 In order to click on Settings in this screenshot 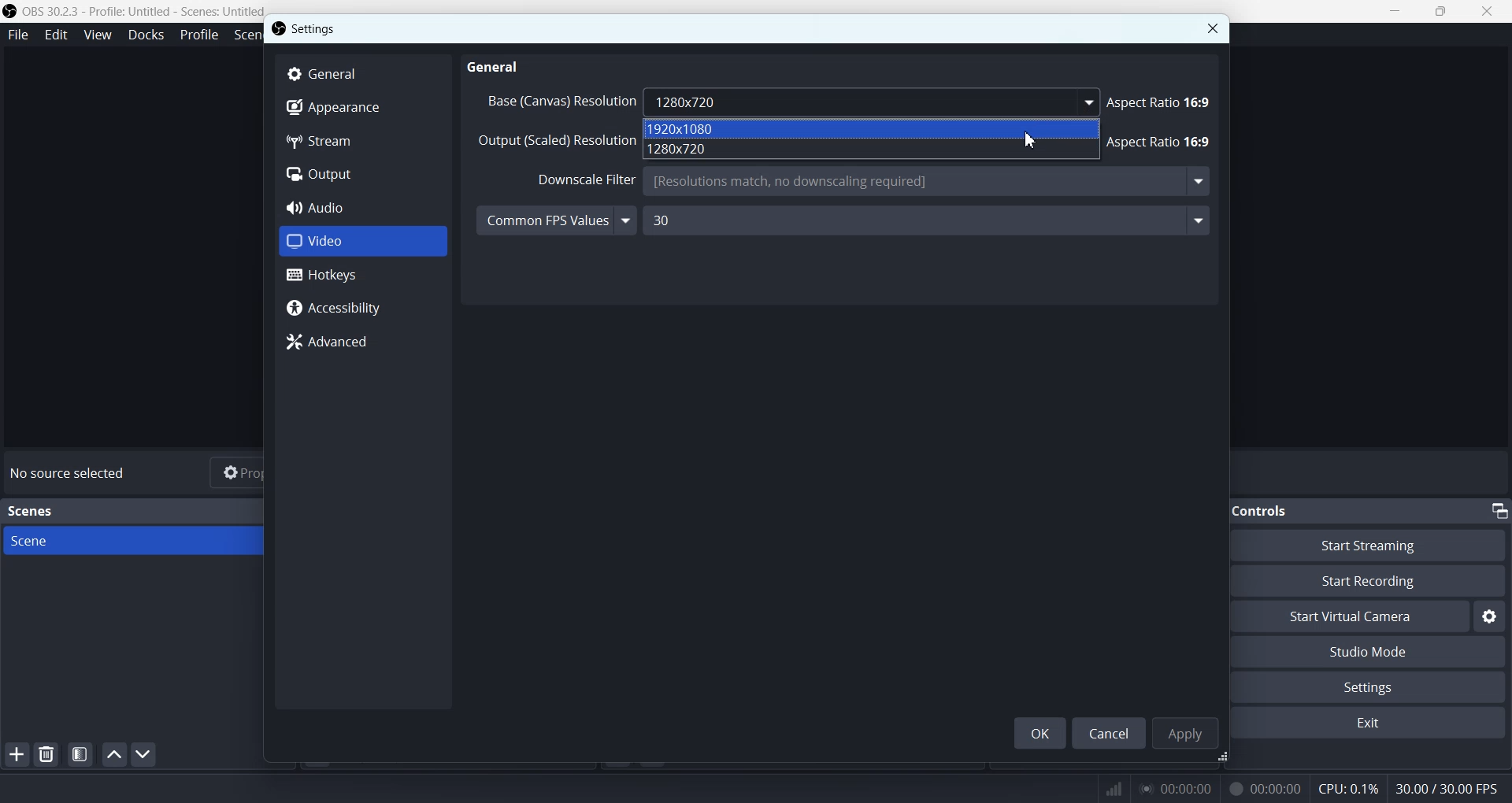, I will do `click(1377, 686)`.